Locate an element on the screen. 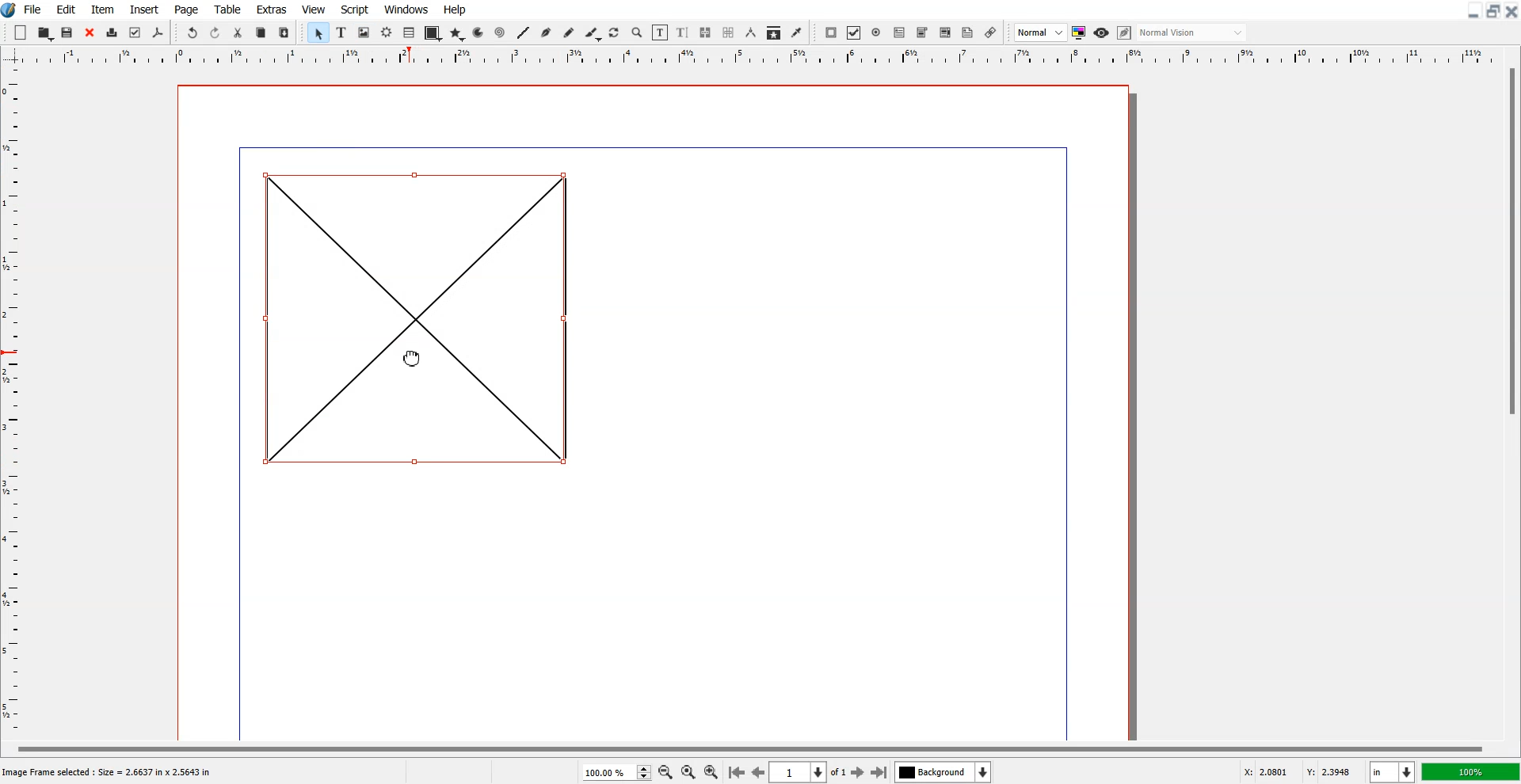 The width and height of the screenshot is (1521, 784). Select the visual appearance is located at coordinates (1193, 33).